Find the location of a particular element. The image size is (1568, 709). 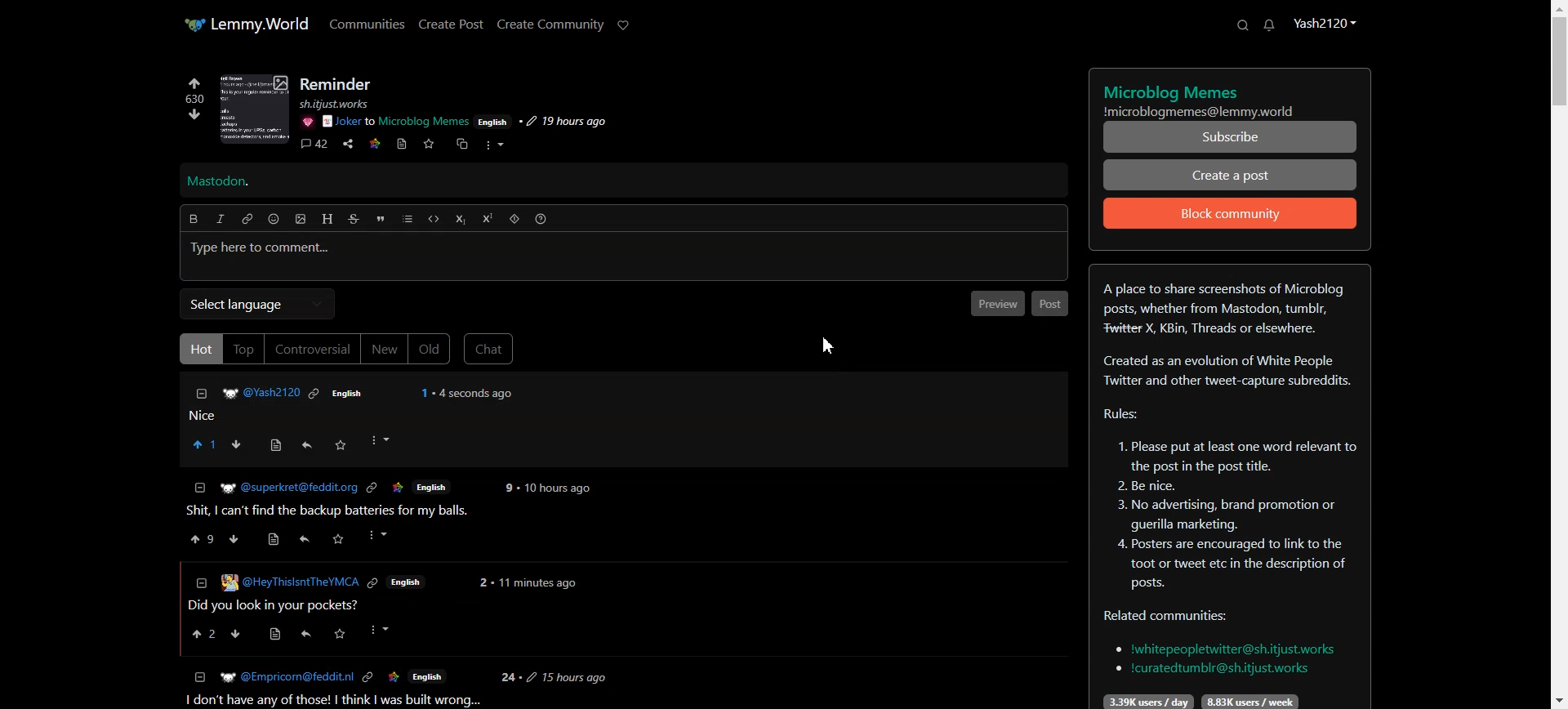

Did you look in your pockets? is located at coordinates (278, 604).